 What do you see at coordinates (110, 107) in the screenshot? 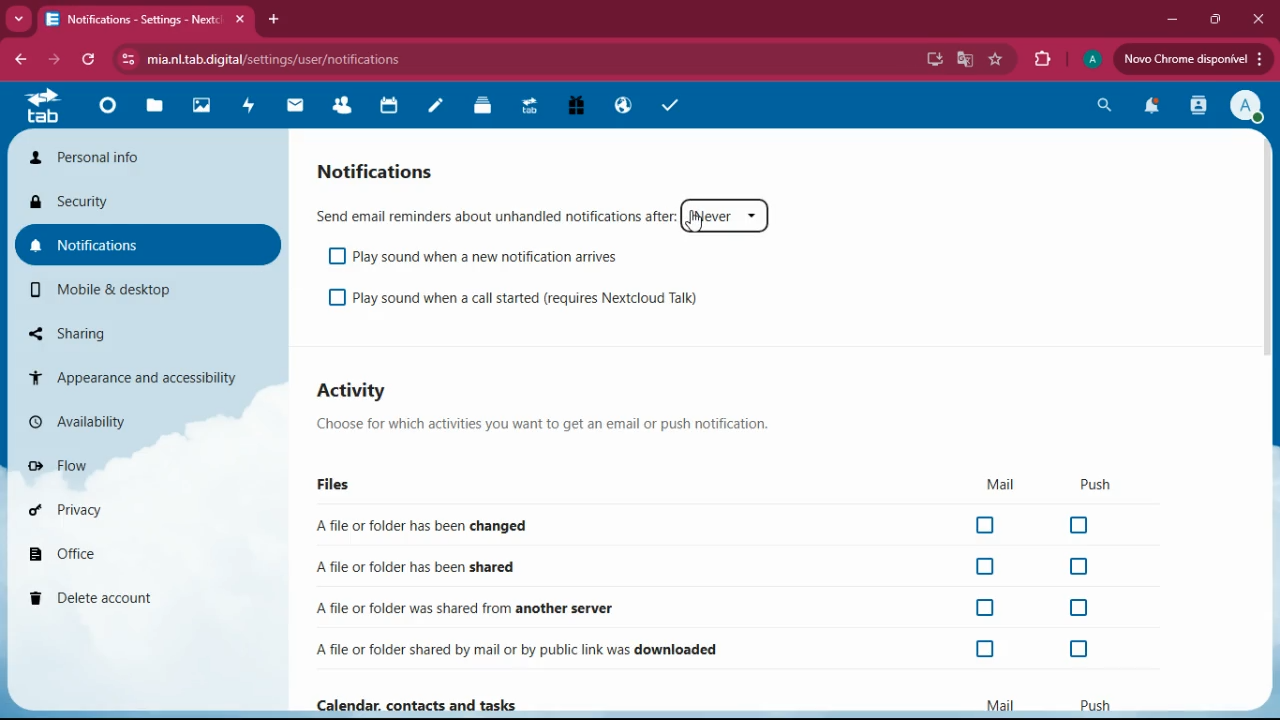
I see `home` at bounding box center [110, 107].